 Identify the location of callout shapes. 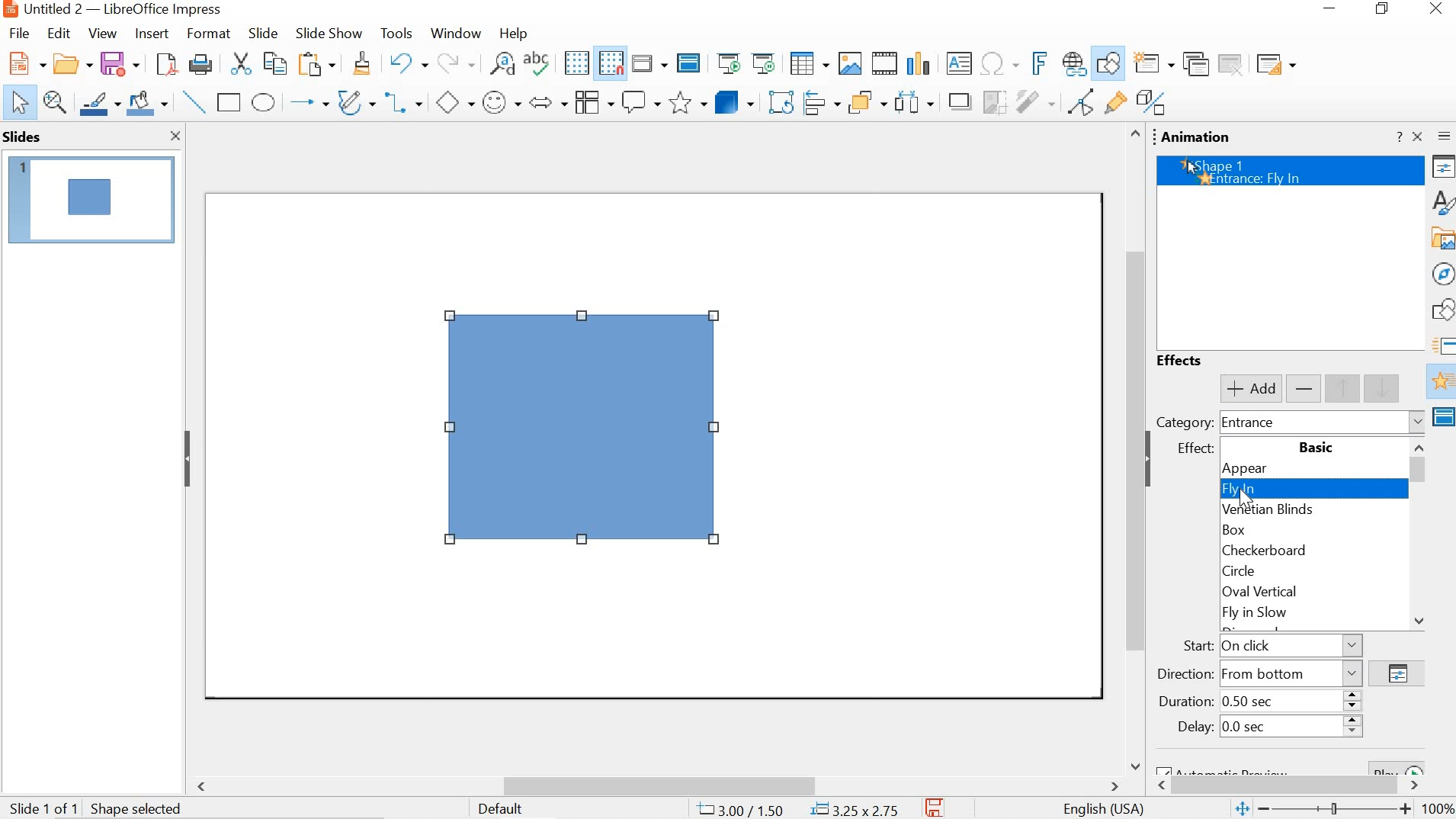
(640, 101).